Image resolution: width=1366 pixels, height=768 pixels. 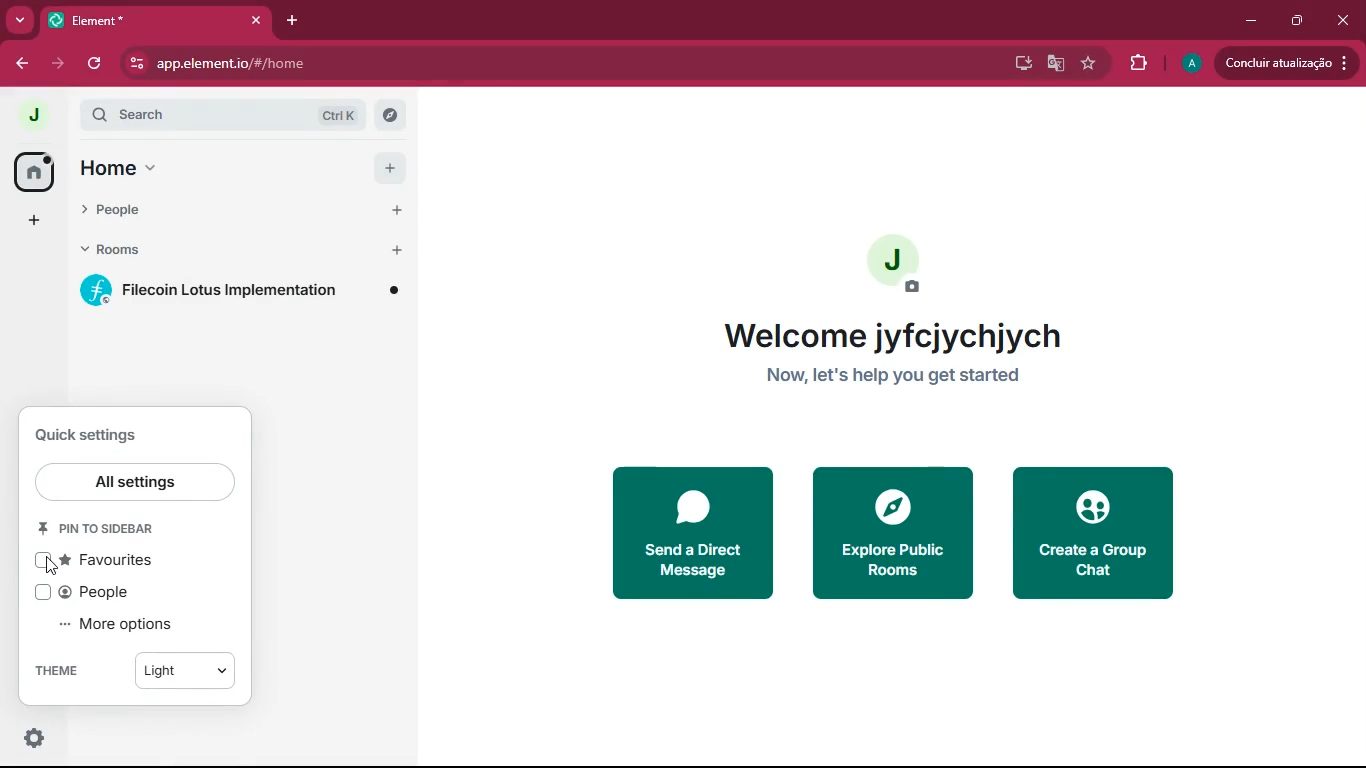 I want to click on Light, so click(x=186, y=670).